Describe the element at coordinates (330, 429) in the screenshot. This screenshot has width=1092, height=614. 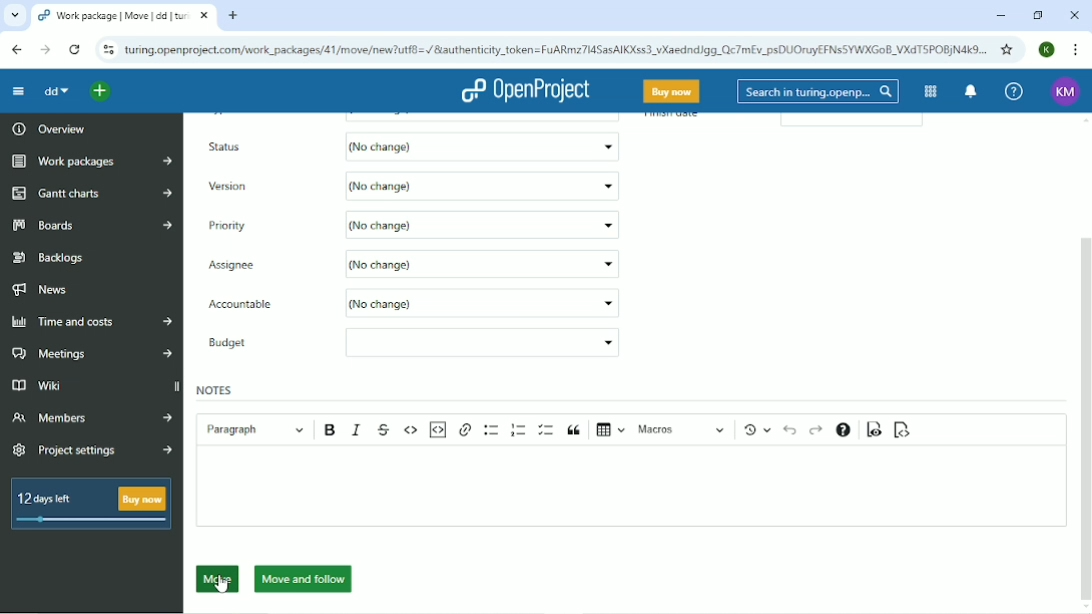
I see `Bold` at that location.